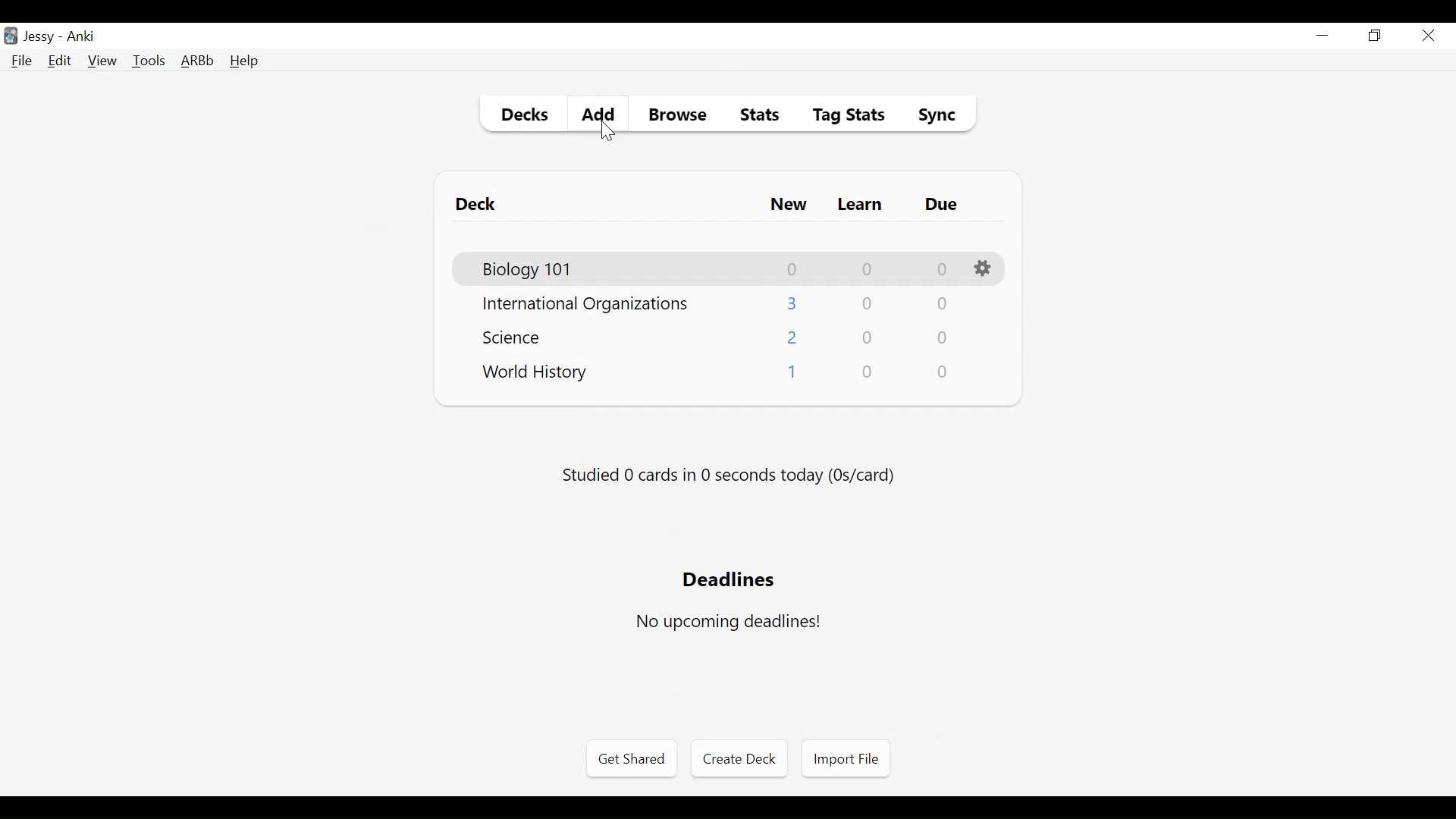 Image resolution: width=1456 pixels, height=819 pixels. What do you see at coordinates (103, 61) in the screenshot?
I see `View` at bounding box center [103, 61].